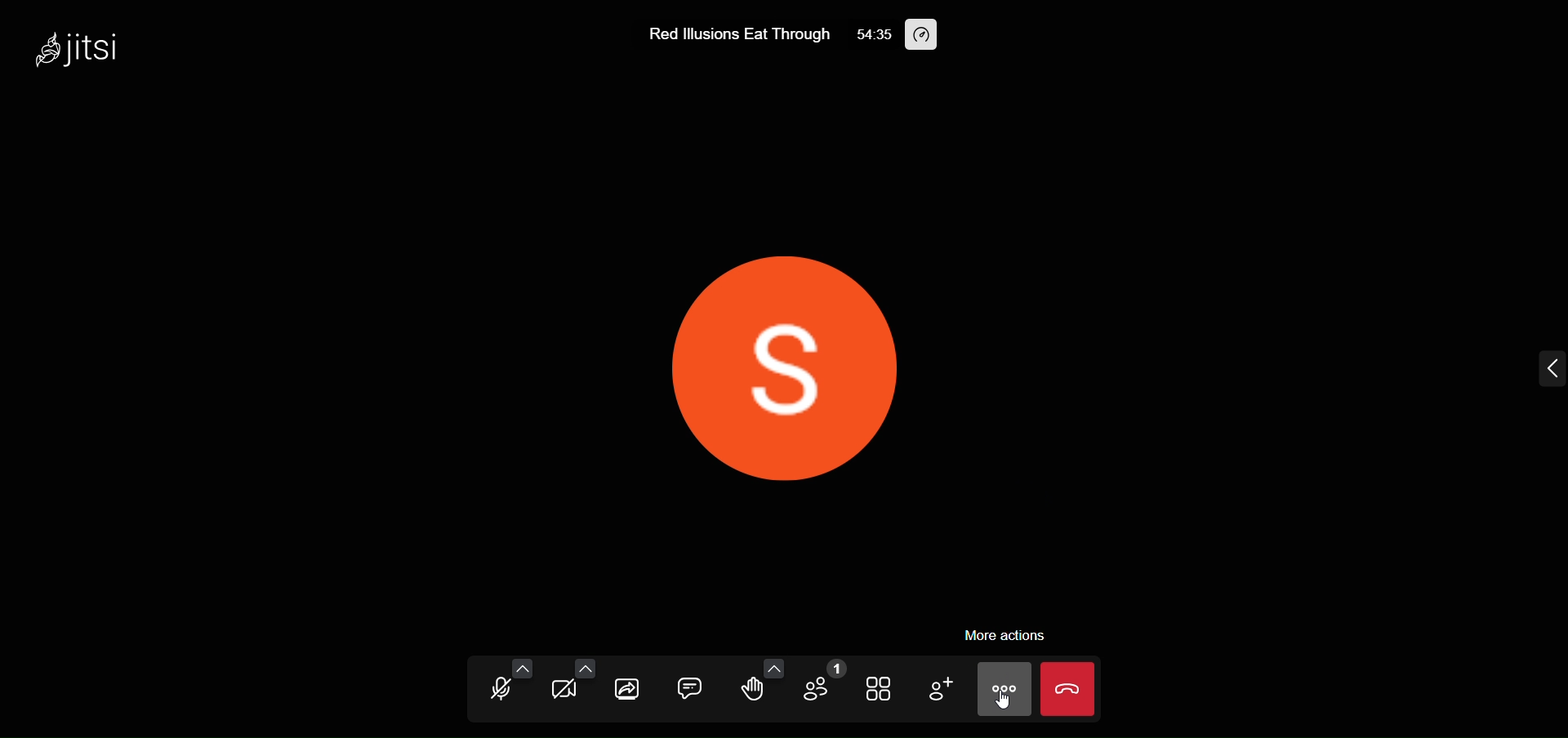 This screenshot has height=738, width=1568. What do you see at coordinates (630, 690) in the screenshot?
I see `screen share` at bounding box center [630, 690].